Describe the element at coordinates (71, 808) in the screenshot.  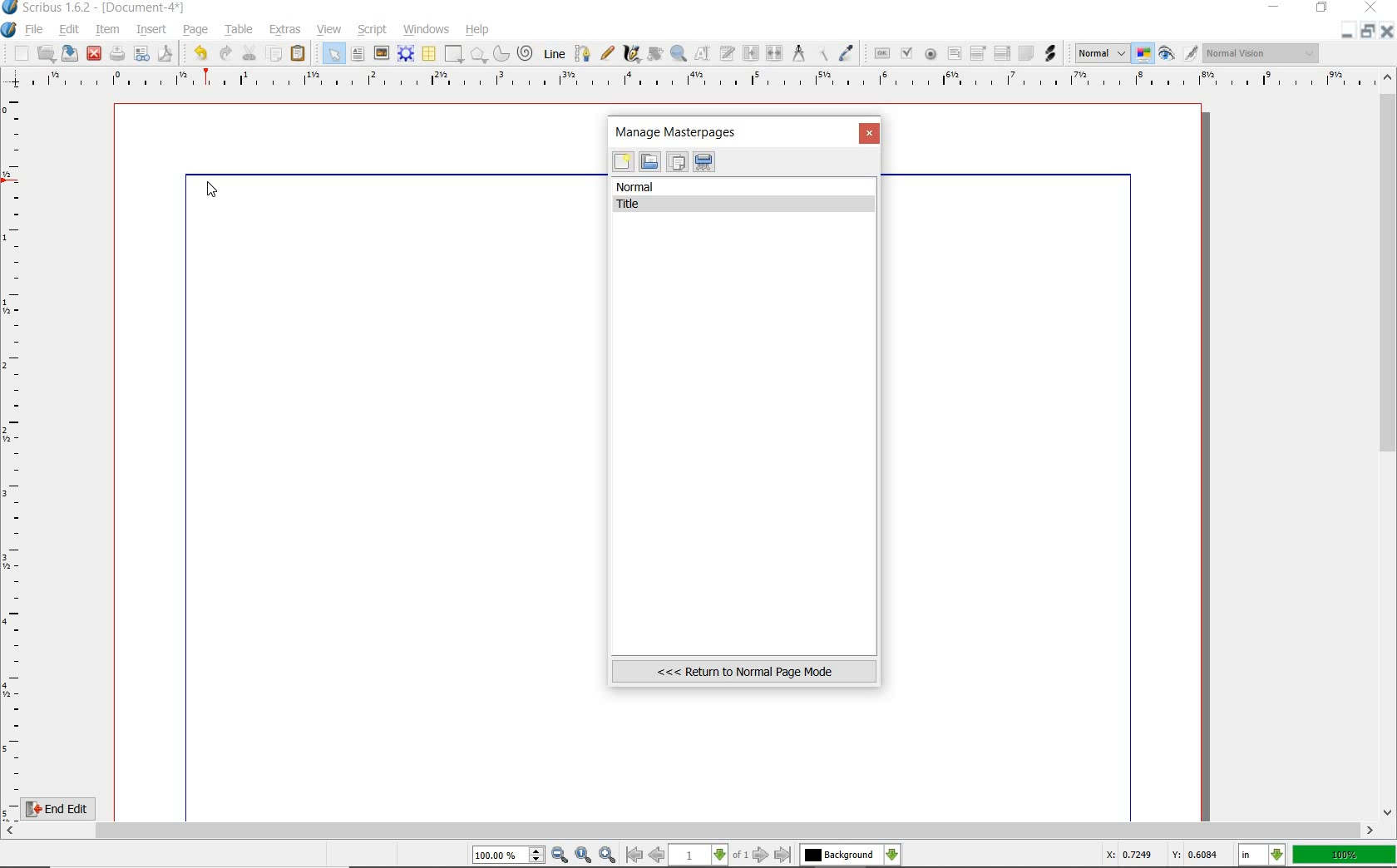
I see `End Edit` at that location.